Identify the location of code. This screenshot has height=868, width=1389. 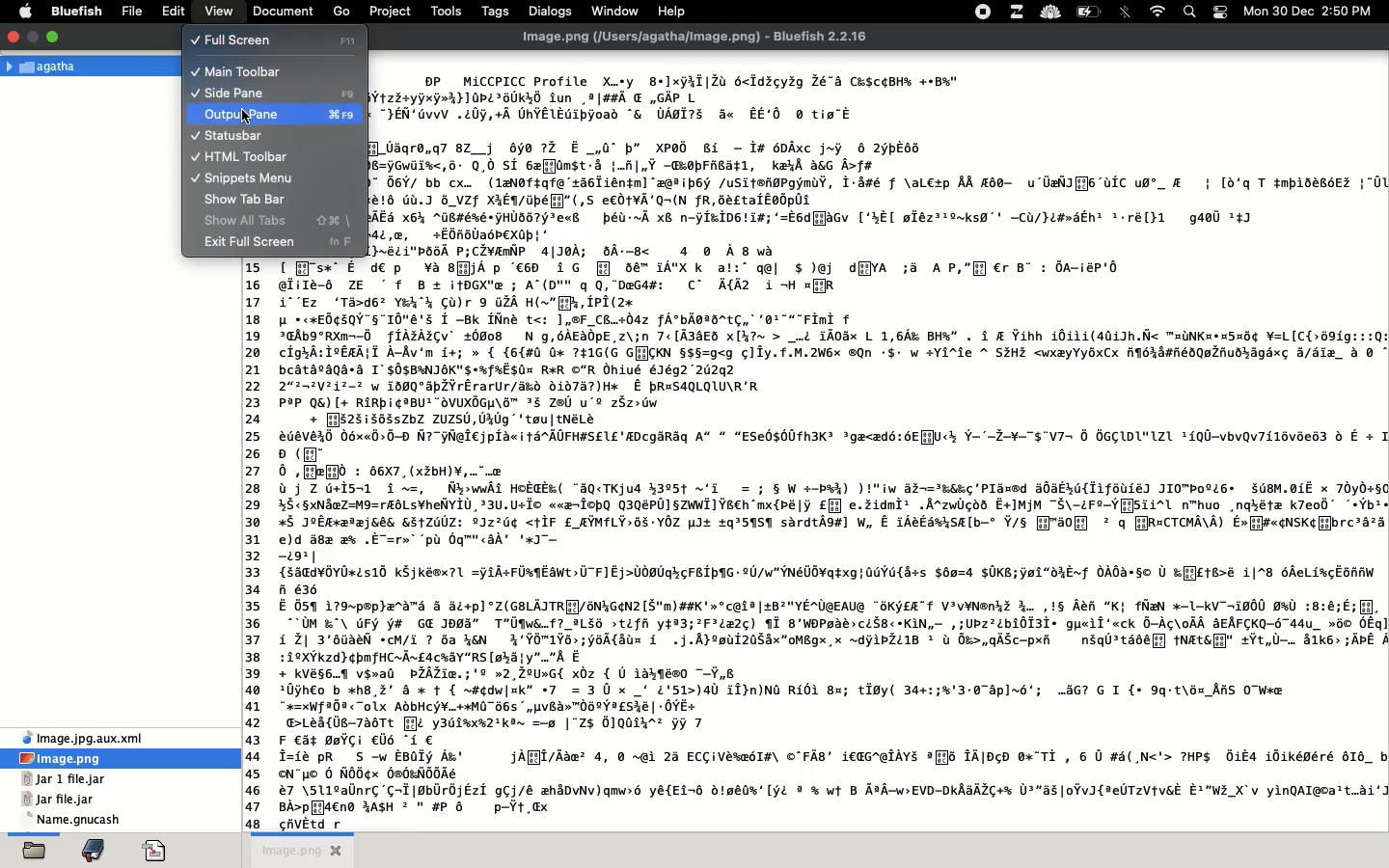
(159, 849).